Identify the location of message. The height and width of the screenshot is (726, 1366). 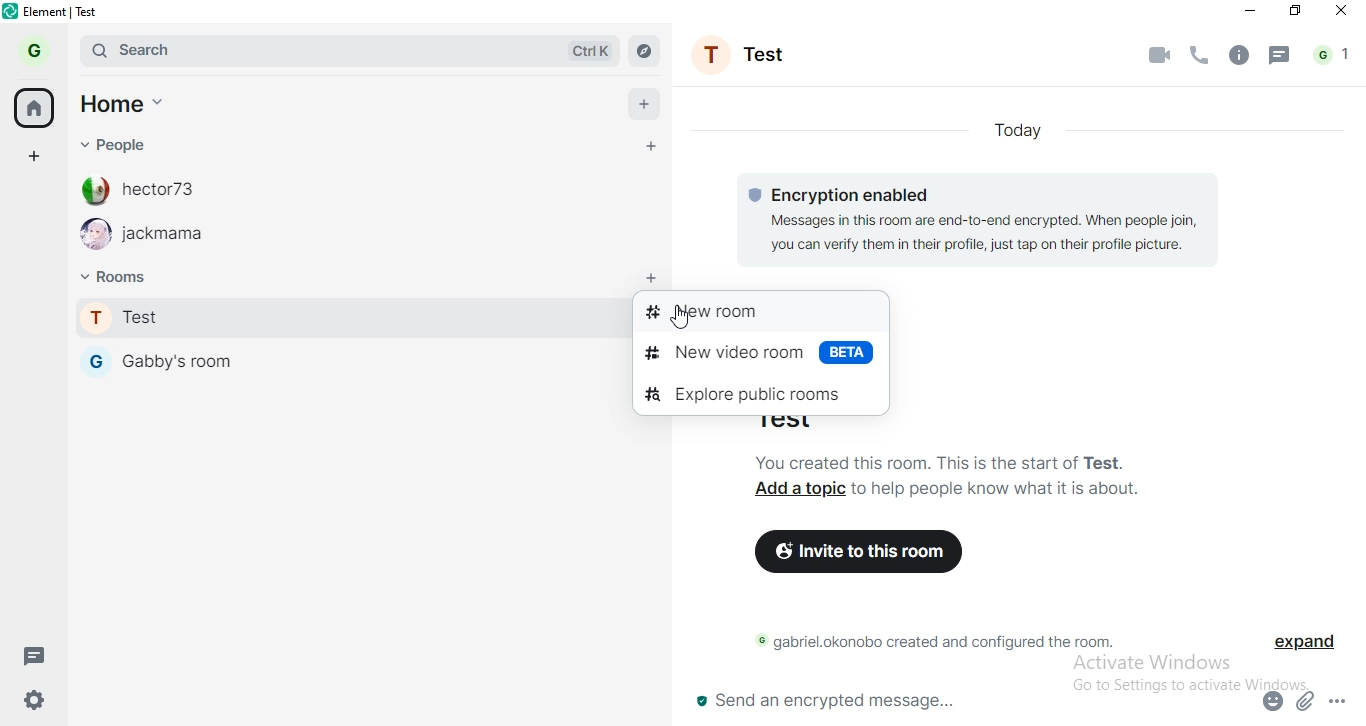
(1280, 55).